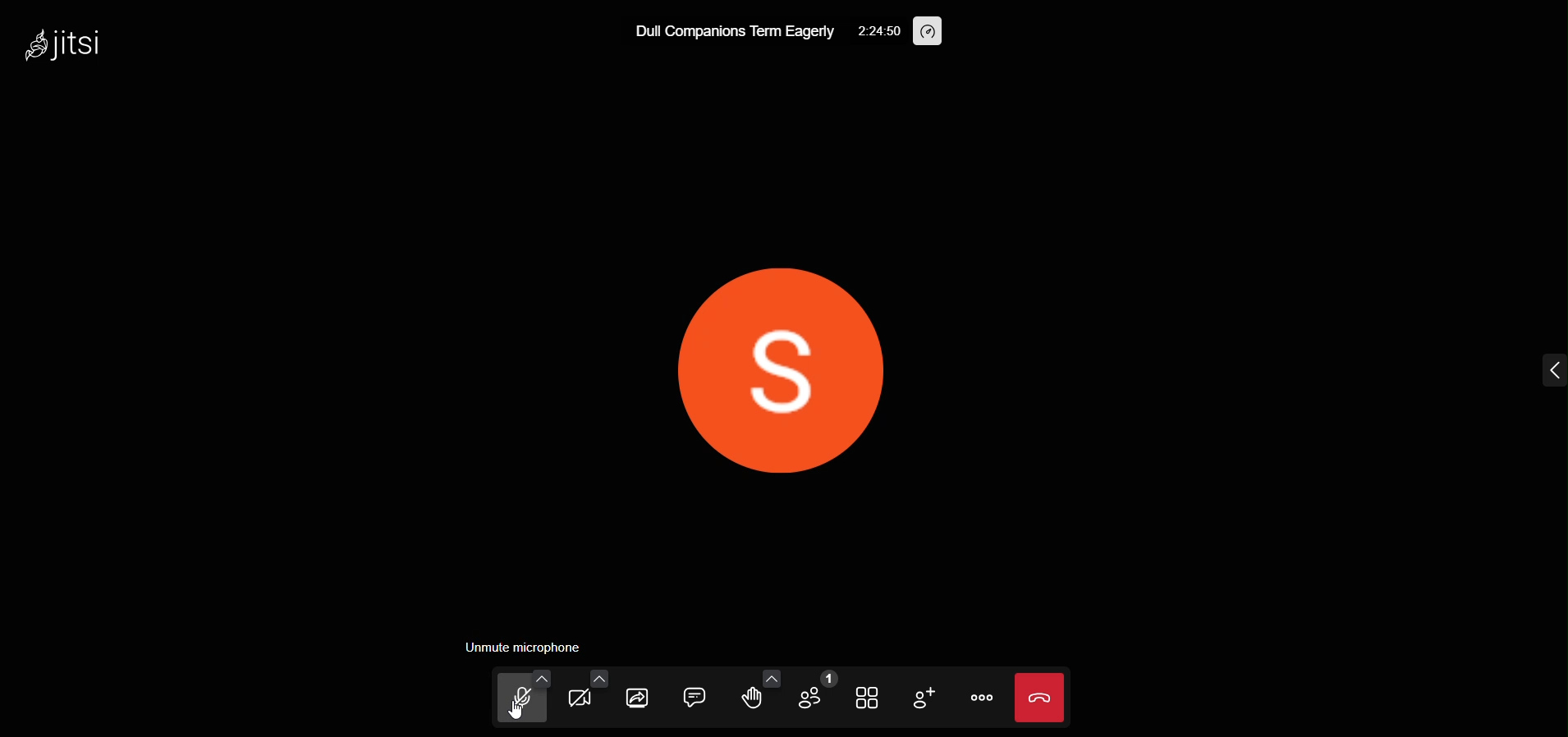 This screenshot has width=1568, height=737. What do you see at coordinates (638, 699) in the screenshot?
I see `screen share` at bounding box center [638, 699].